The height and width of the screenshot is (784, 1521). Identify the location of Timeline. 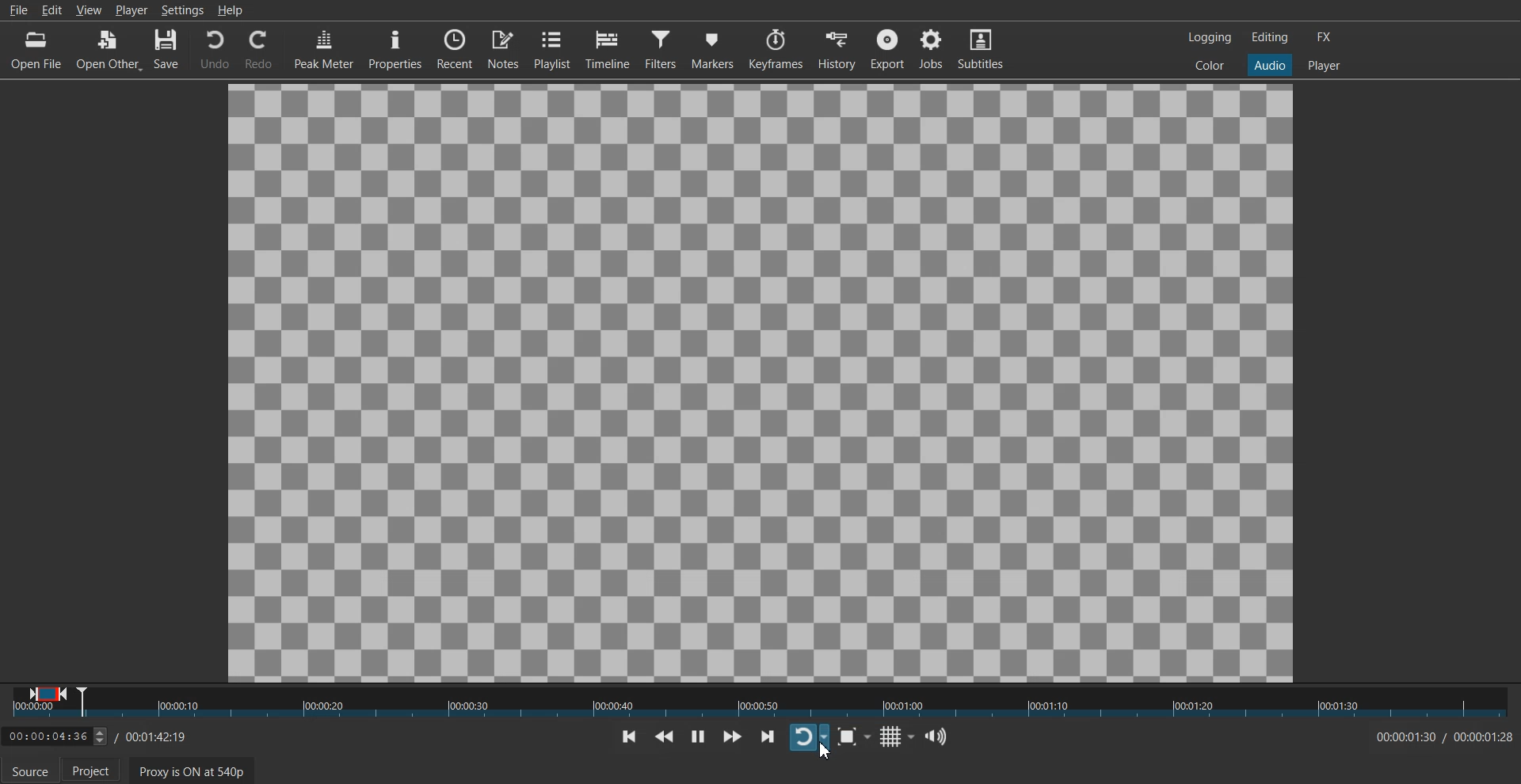
(607, 49).